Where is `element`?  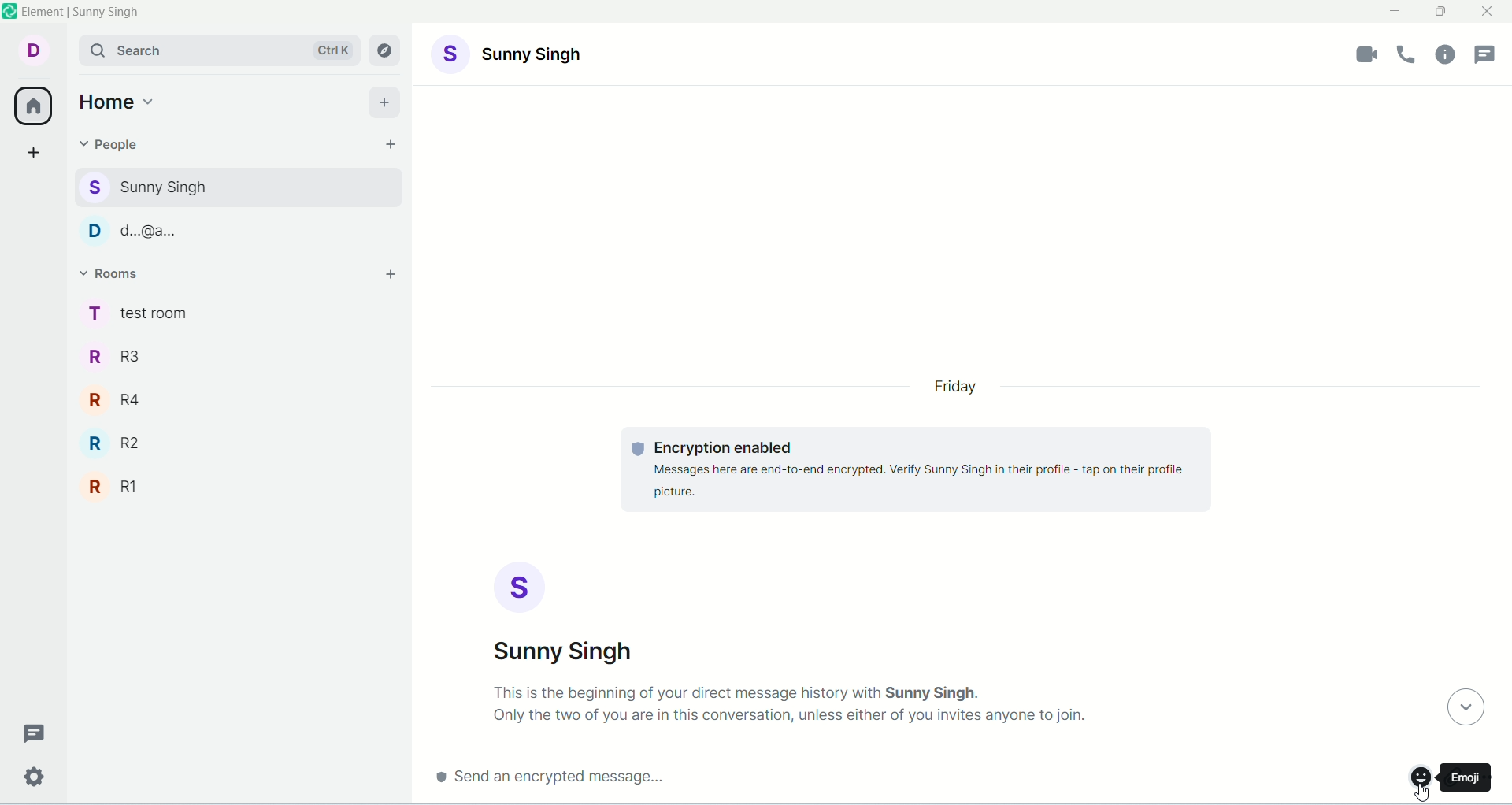
element is located at coordinates (83, 11).